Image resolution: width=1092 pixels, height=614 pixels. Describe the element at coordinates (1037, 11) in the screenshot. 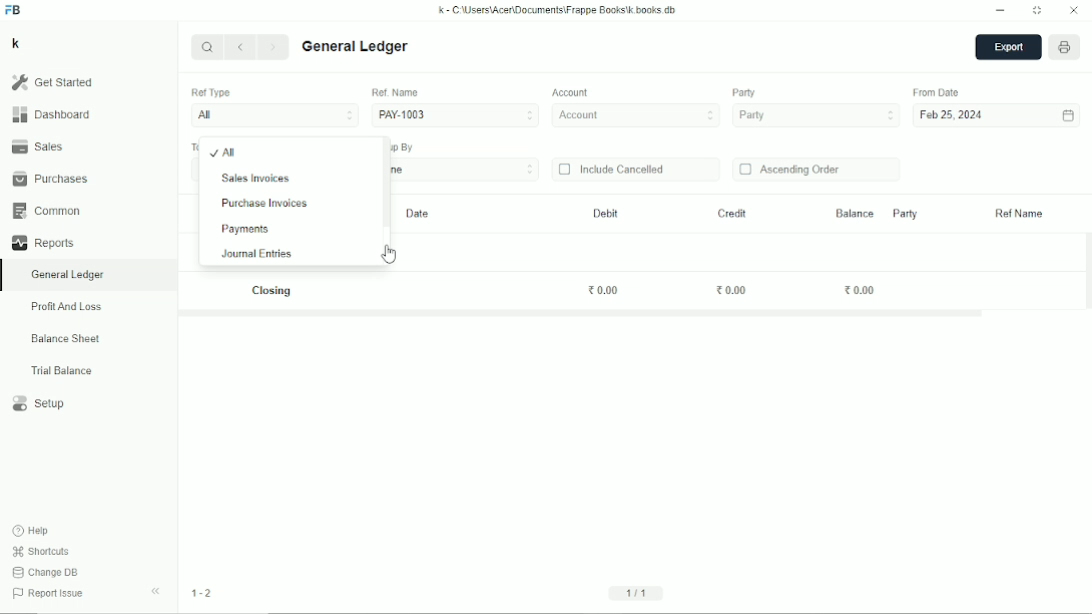

I see `Toggle between form and full width` at that location.